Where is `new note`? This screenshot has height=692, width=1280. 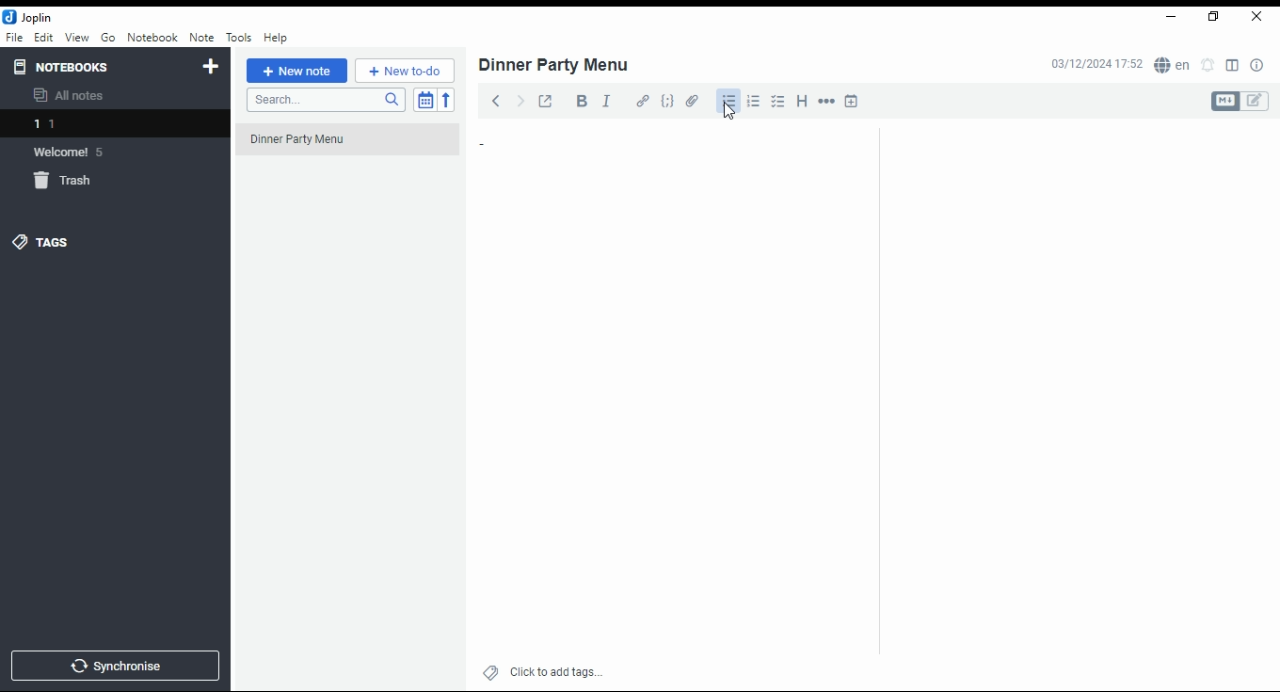
new note is located at coordinates (296, 71).